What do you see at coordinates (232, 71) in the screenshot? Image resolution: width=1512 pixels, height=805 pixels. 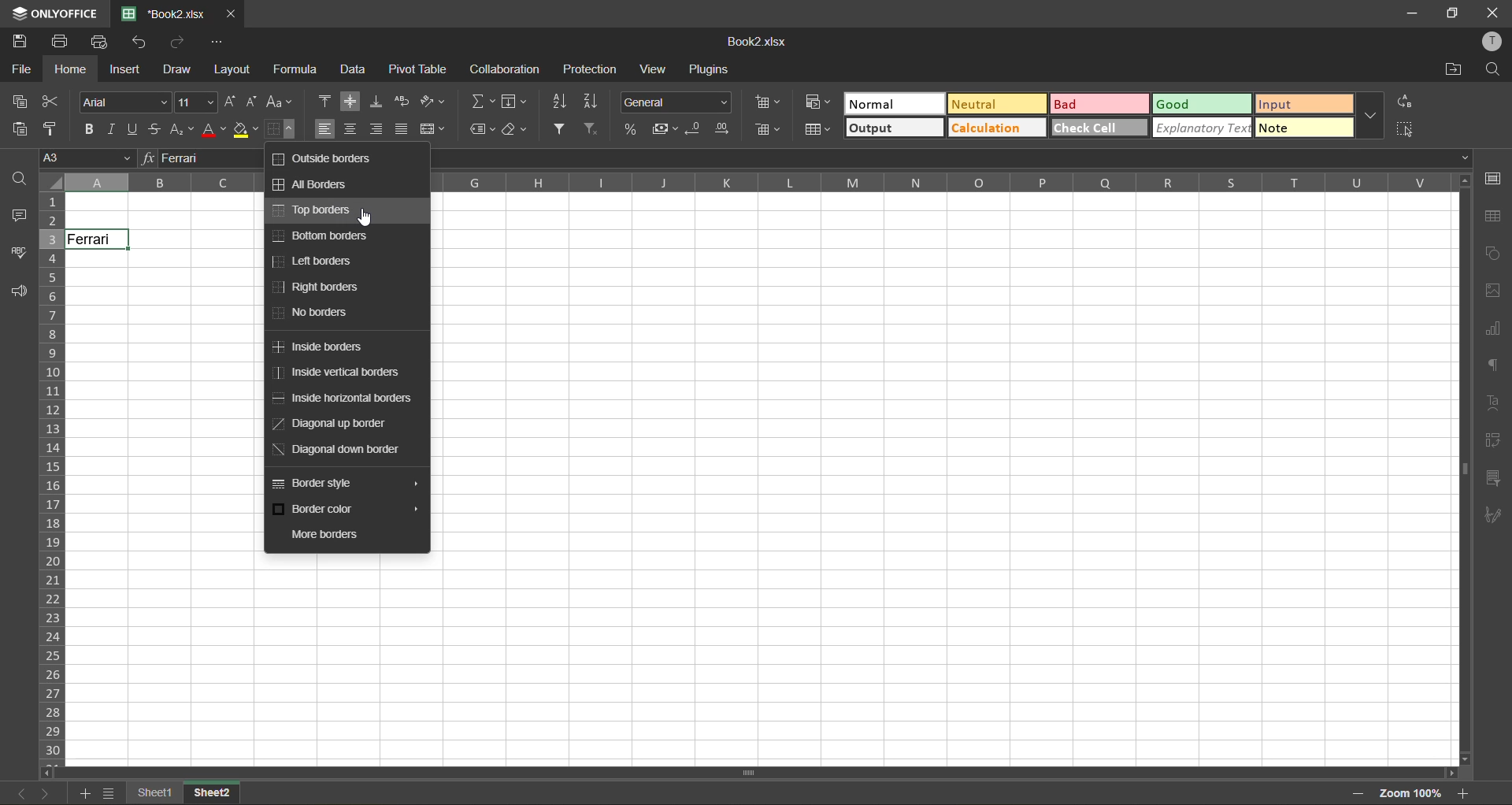 I see `layout` at bounding box center [232, 71].